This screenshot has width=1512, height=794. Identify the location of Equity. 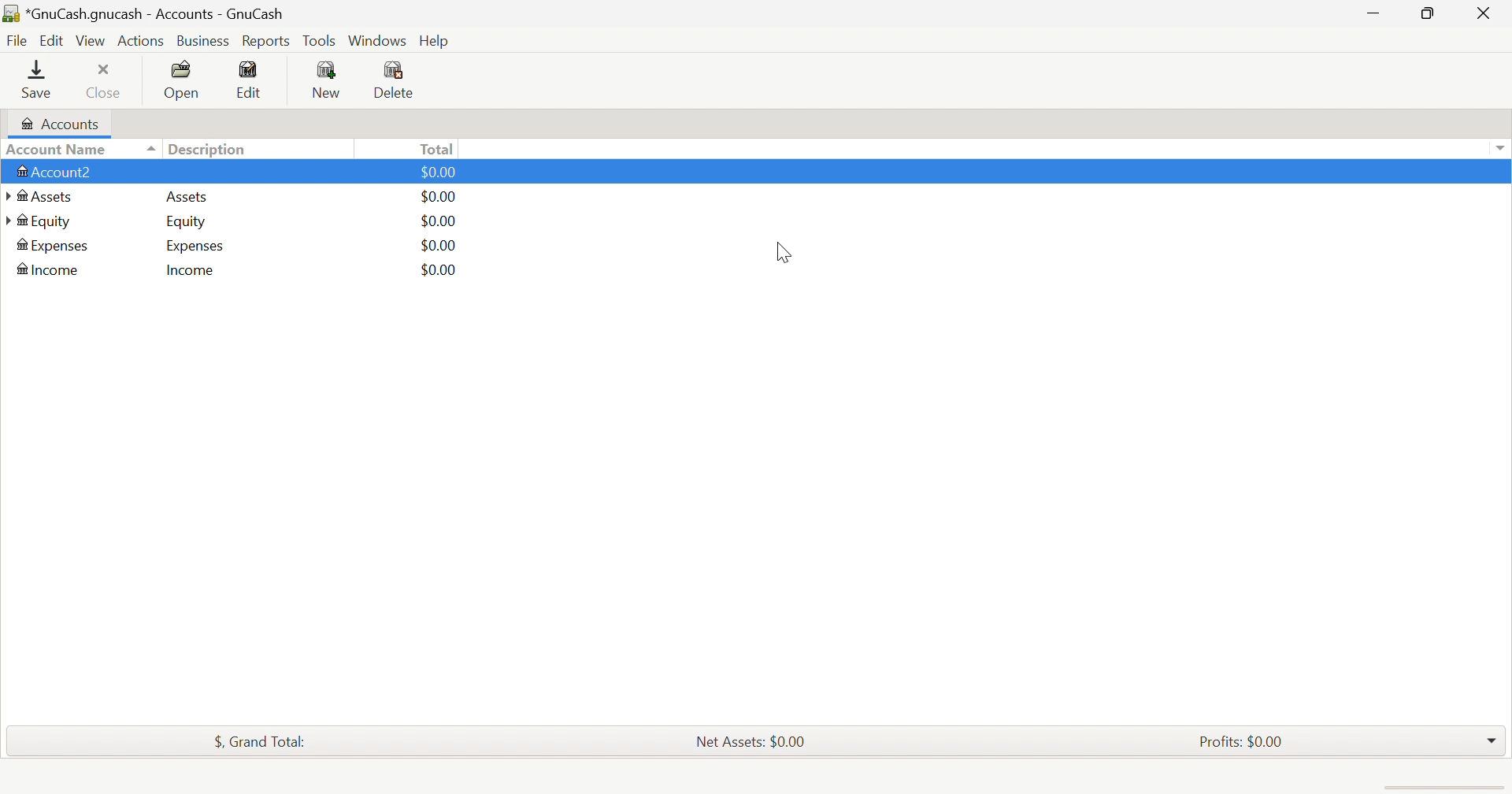
(46, 222).